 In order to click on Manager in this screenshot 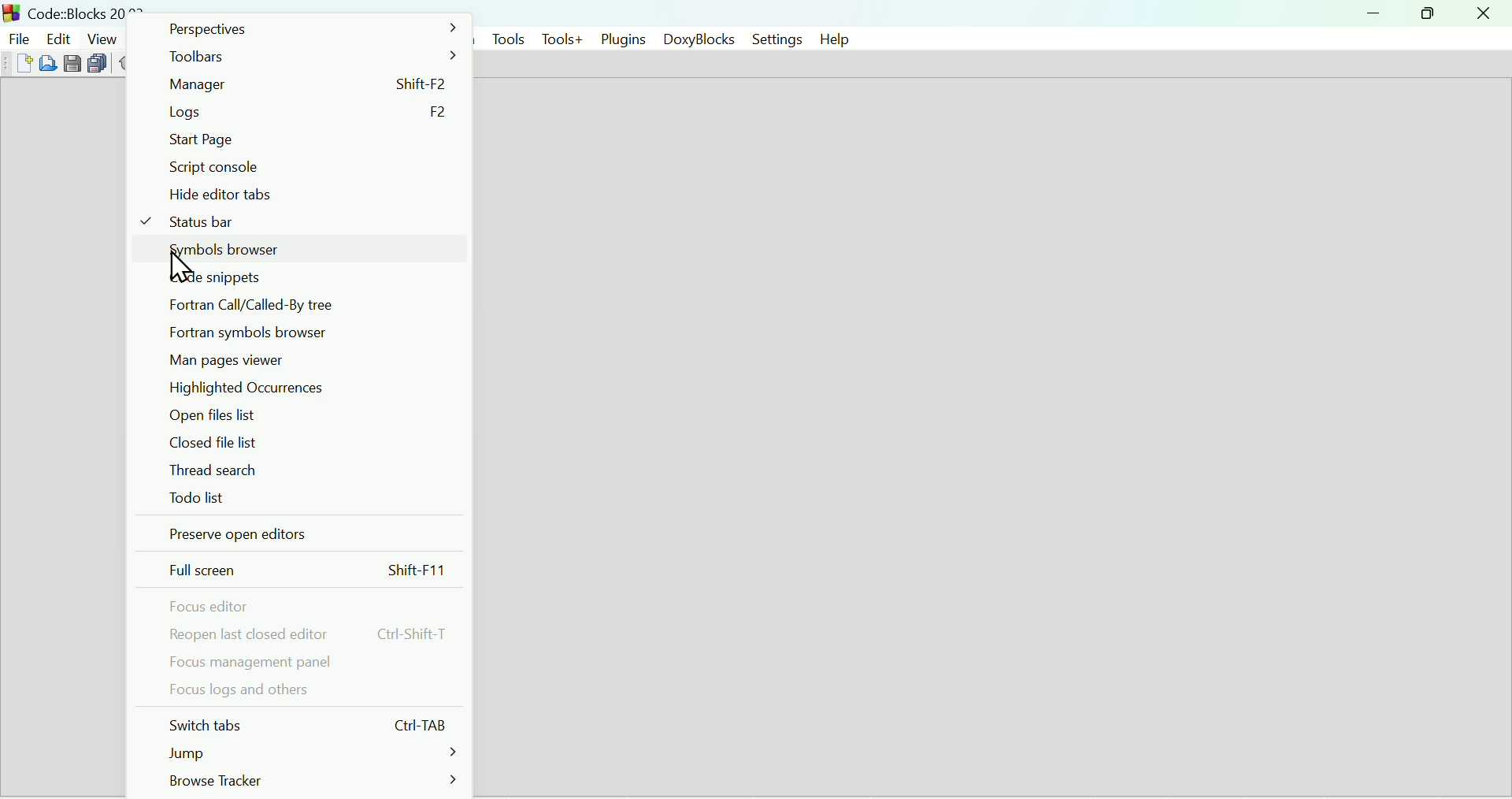, I will do `click(308, 84)`.